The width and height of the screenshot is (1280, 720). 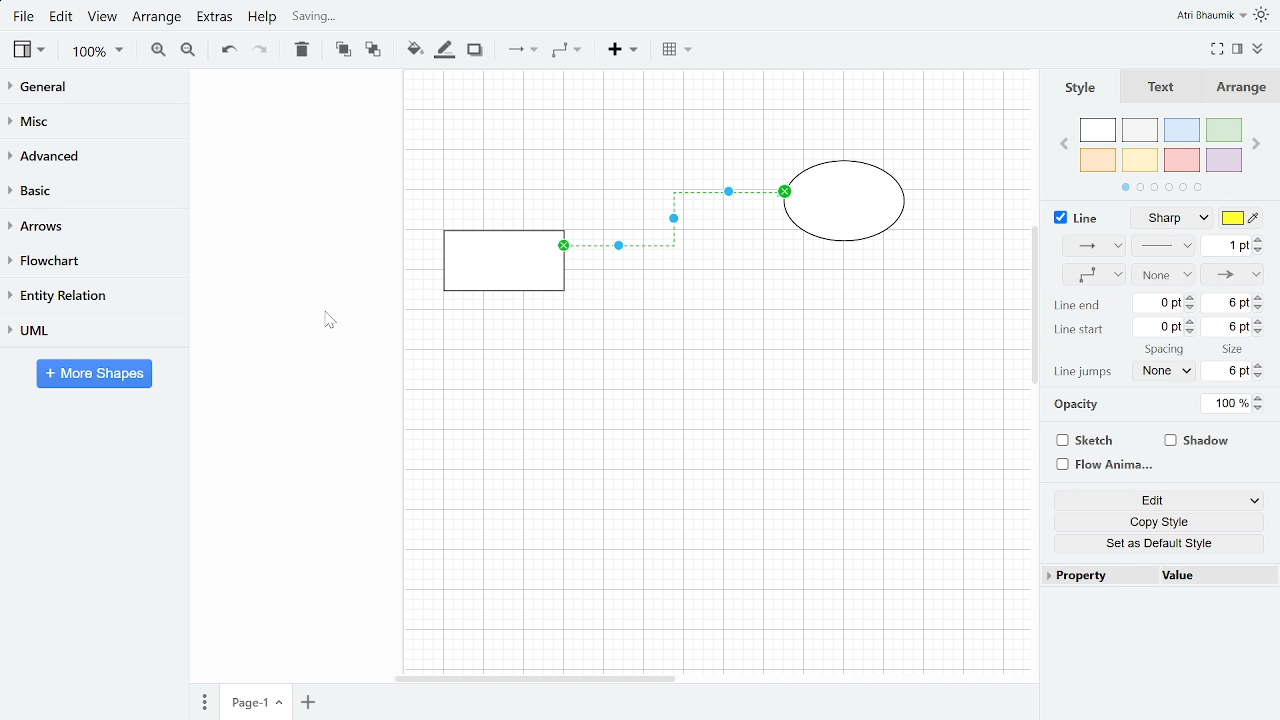 What do you see at coordinates (1224, 160) in the screenshot?
I see `violet` at bounding box center [1224, 160].